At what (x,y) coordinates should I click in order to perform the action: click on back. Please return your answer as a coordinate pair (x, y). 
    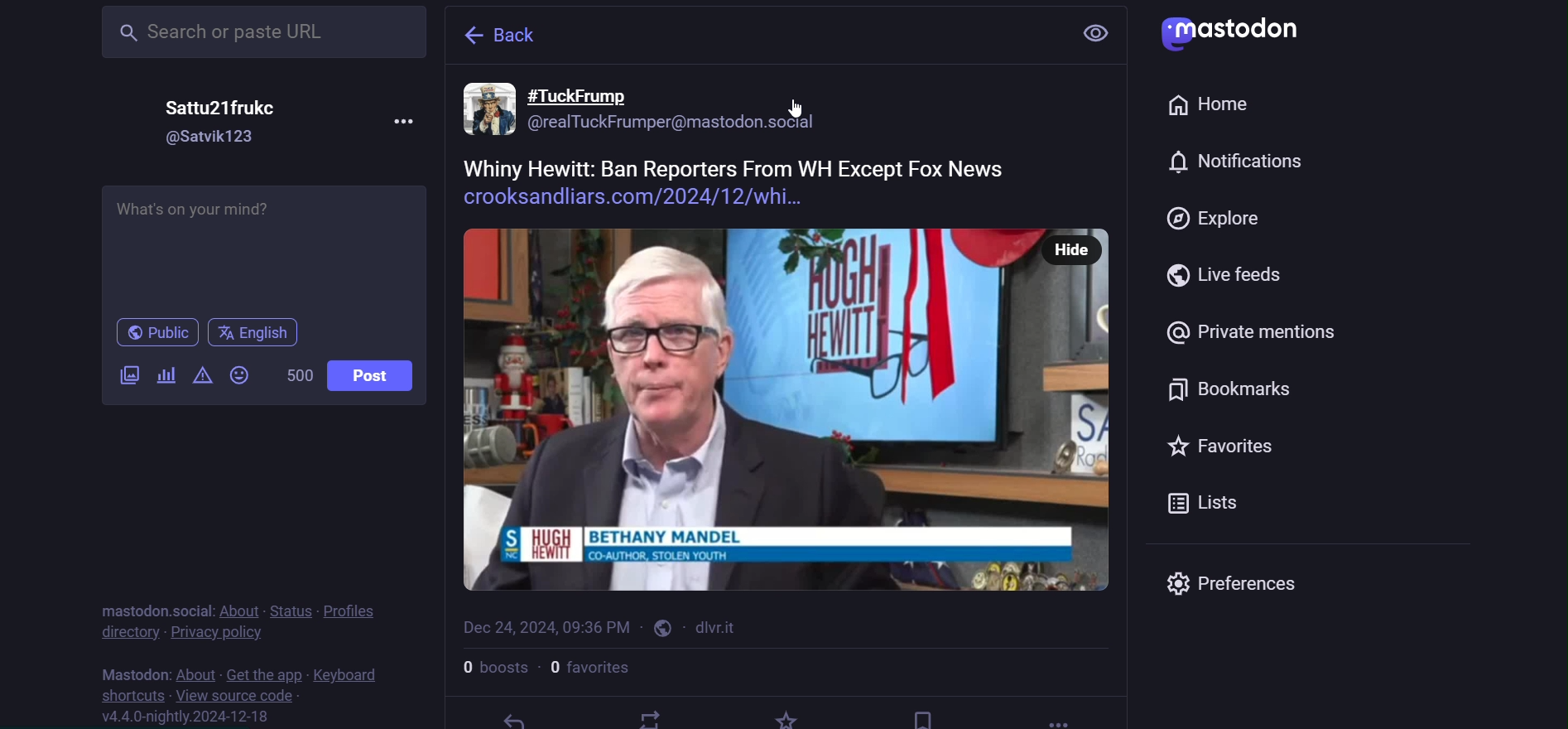
    Looking at the image, I should click on (506, 31).